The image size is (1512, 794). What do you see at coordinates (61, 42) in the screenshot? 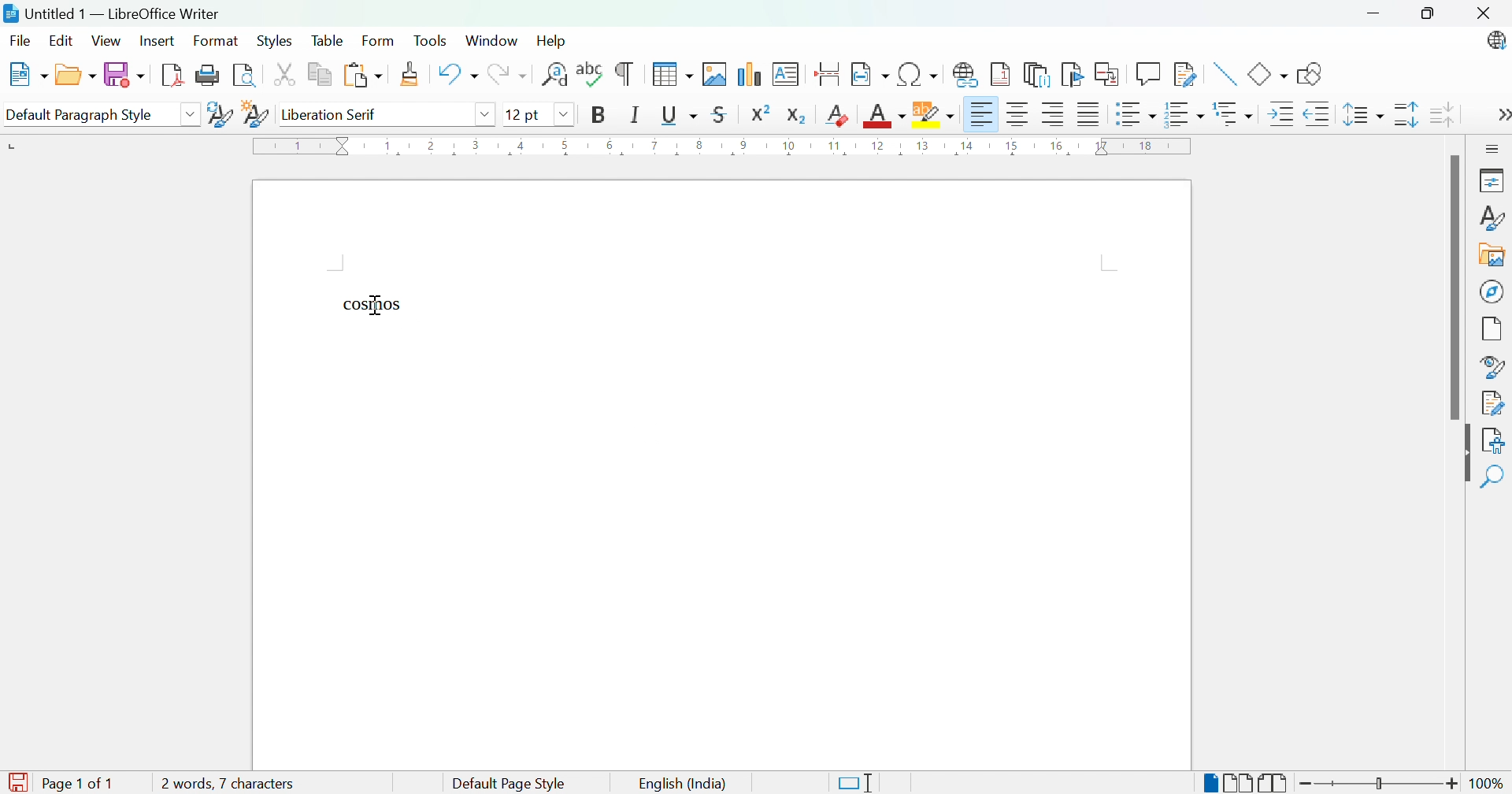
I see `Edit` at bounding box center [61, 42].